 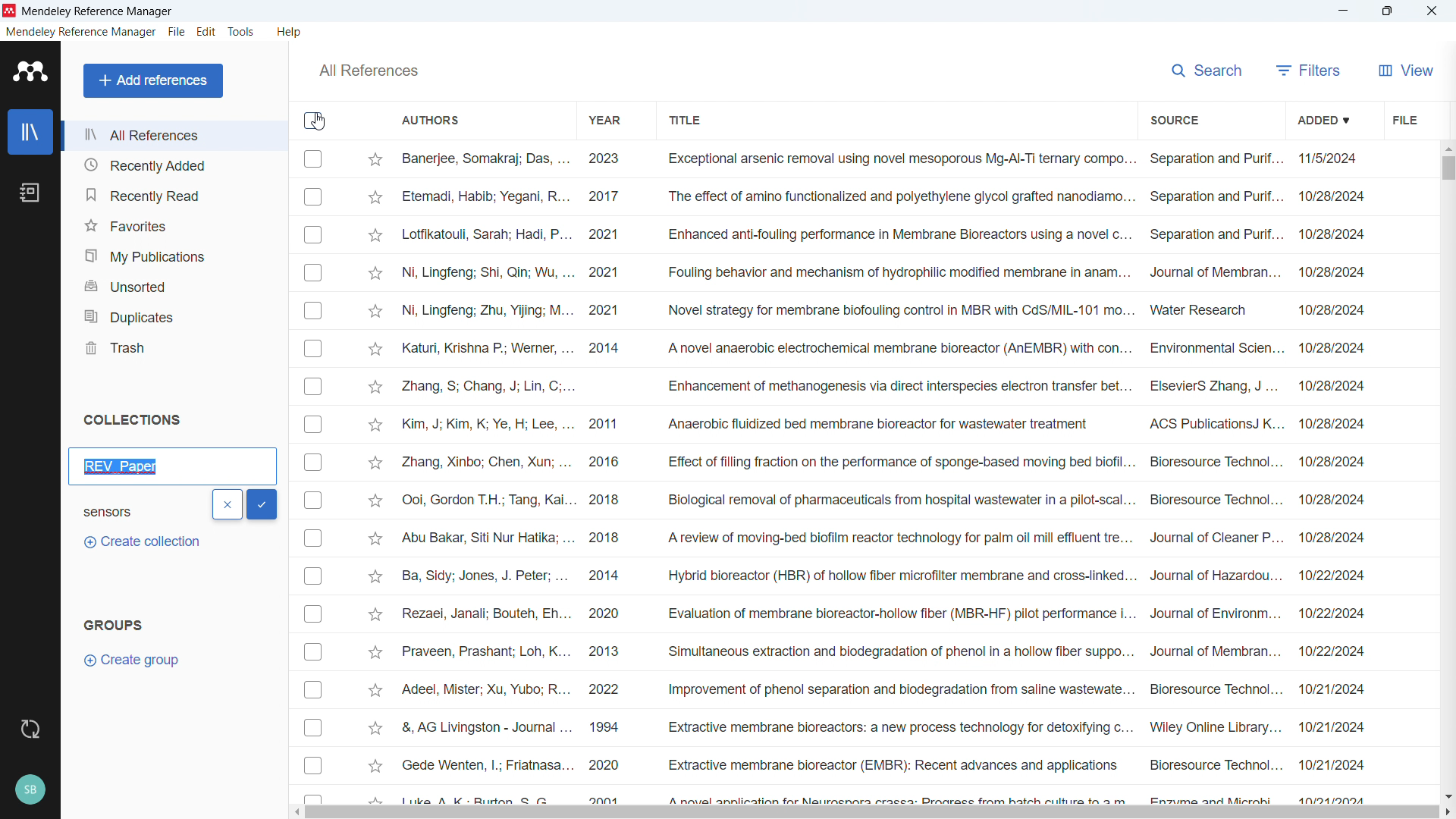 What do you see at coordinates (313, 197) in the screenshot?
I see `Select respective publication` at bounding box center [313, 197].